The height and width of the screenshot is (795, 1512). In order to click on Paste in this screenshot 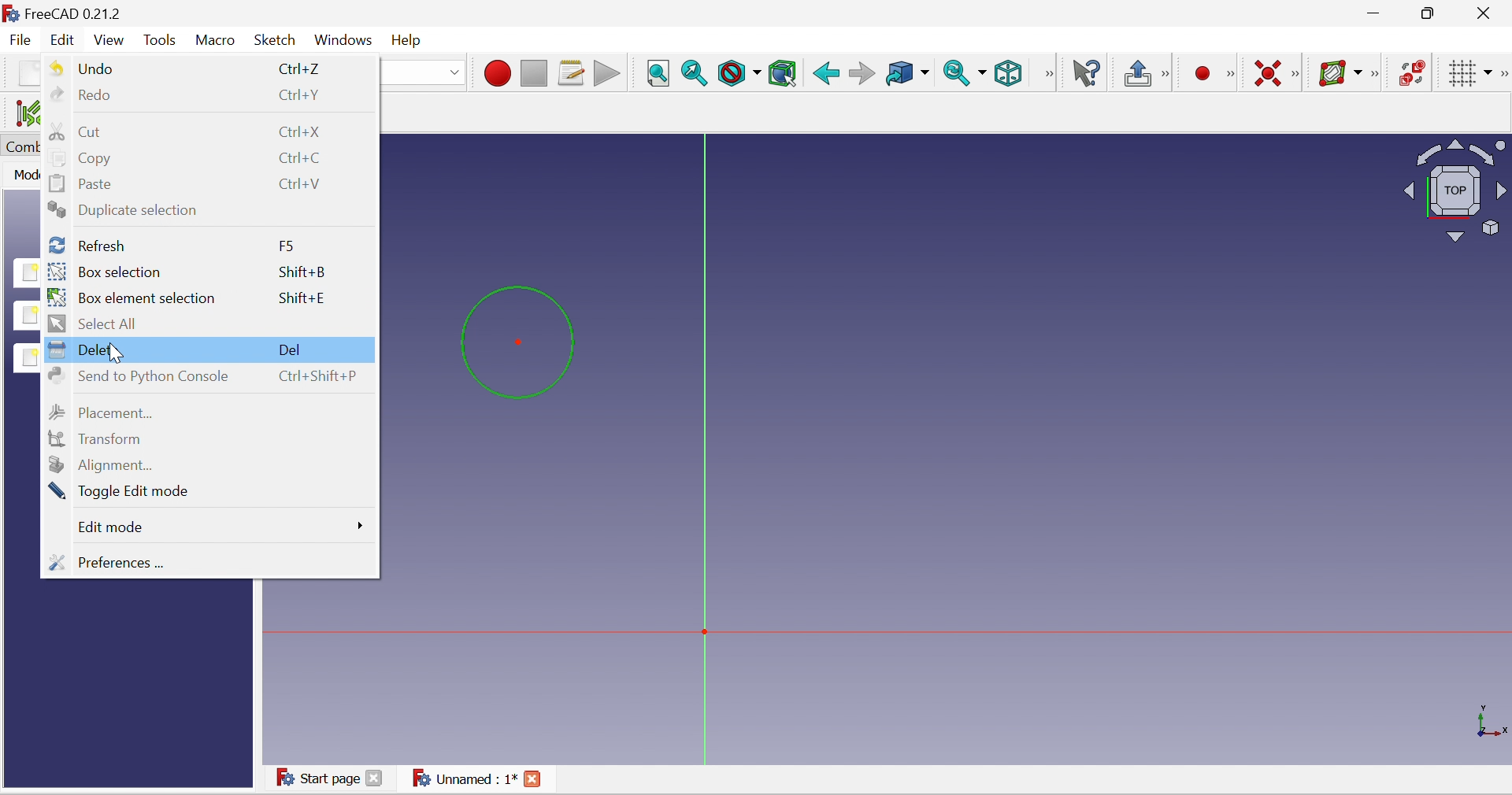, I will do `click(83, 183)`.